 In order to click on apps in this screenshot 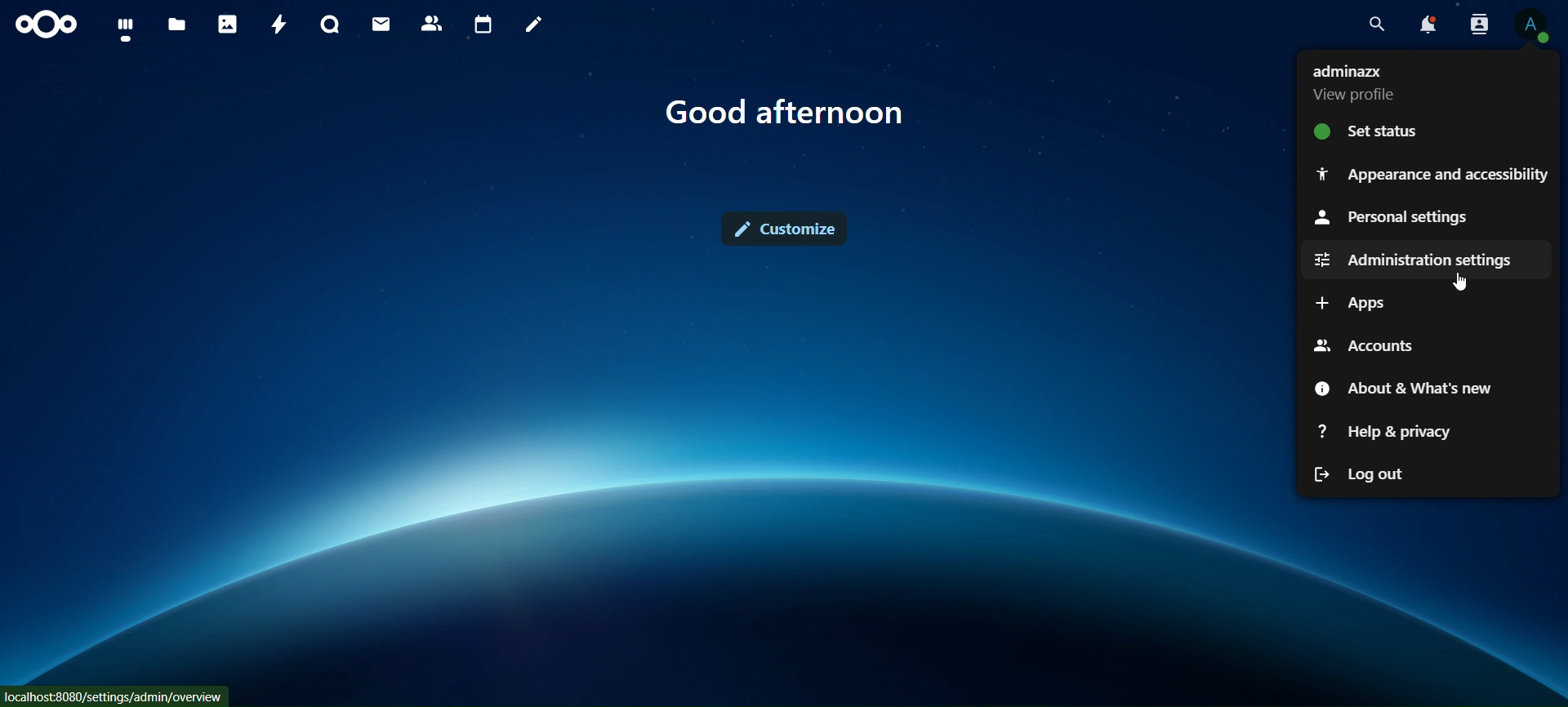, I will do `click(1351, 303)`.